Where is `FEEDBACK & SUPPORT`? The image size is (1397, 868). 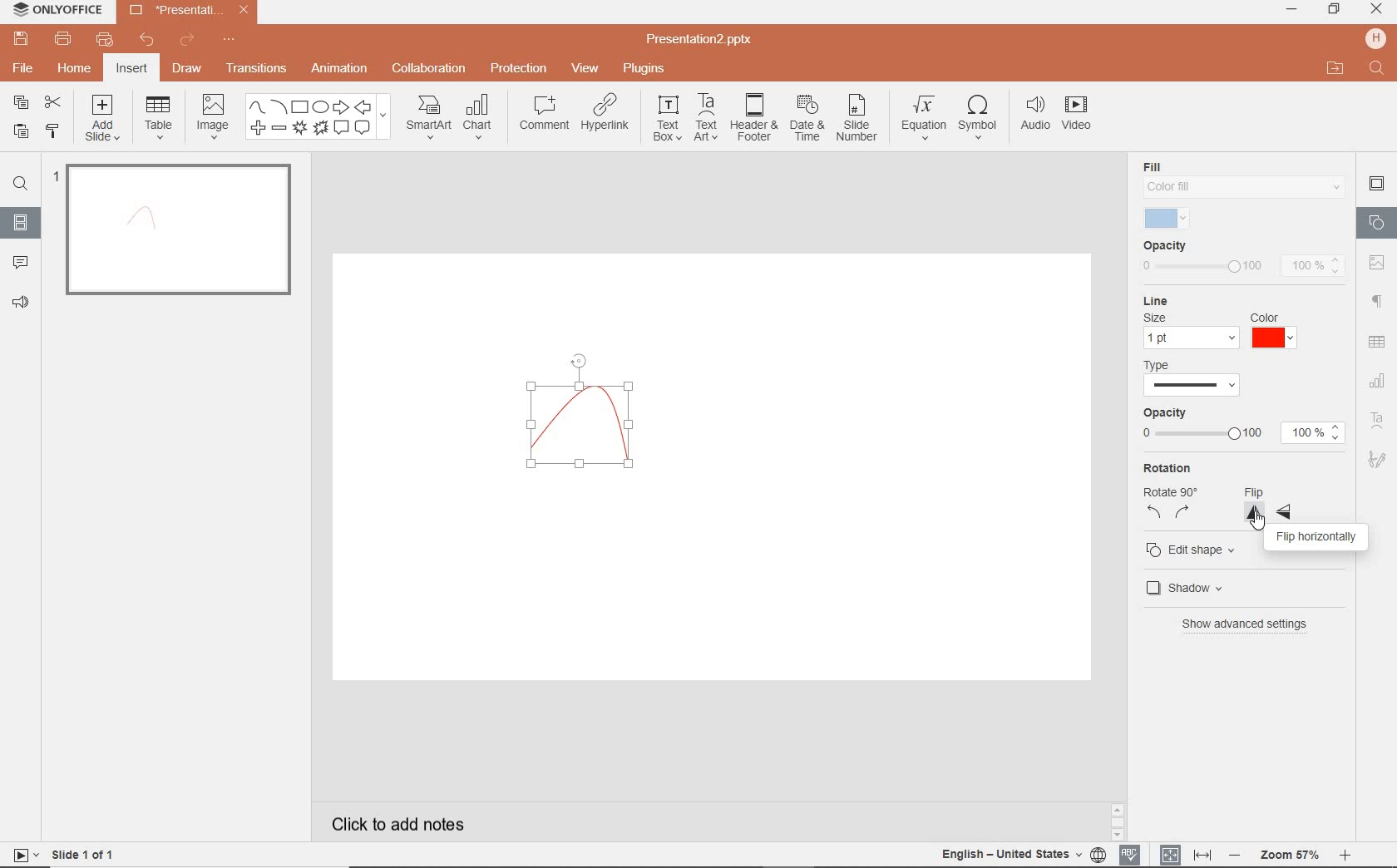 FEEDBACK & SUPPORT is located at coordinates (20, 303).